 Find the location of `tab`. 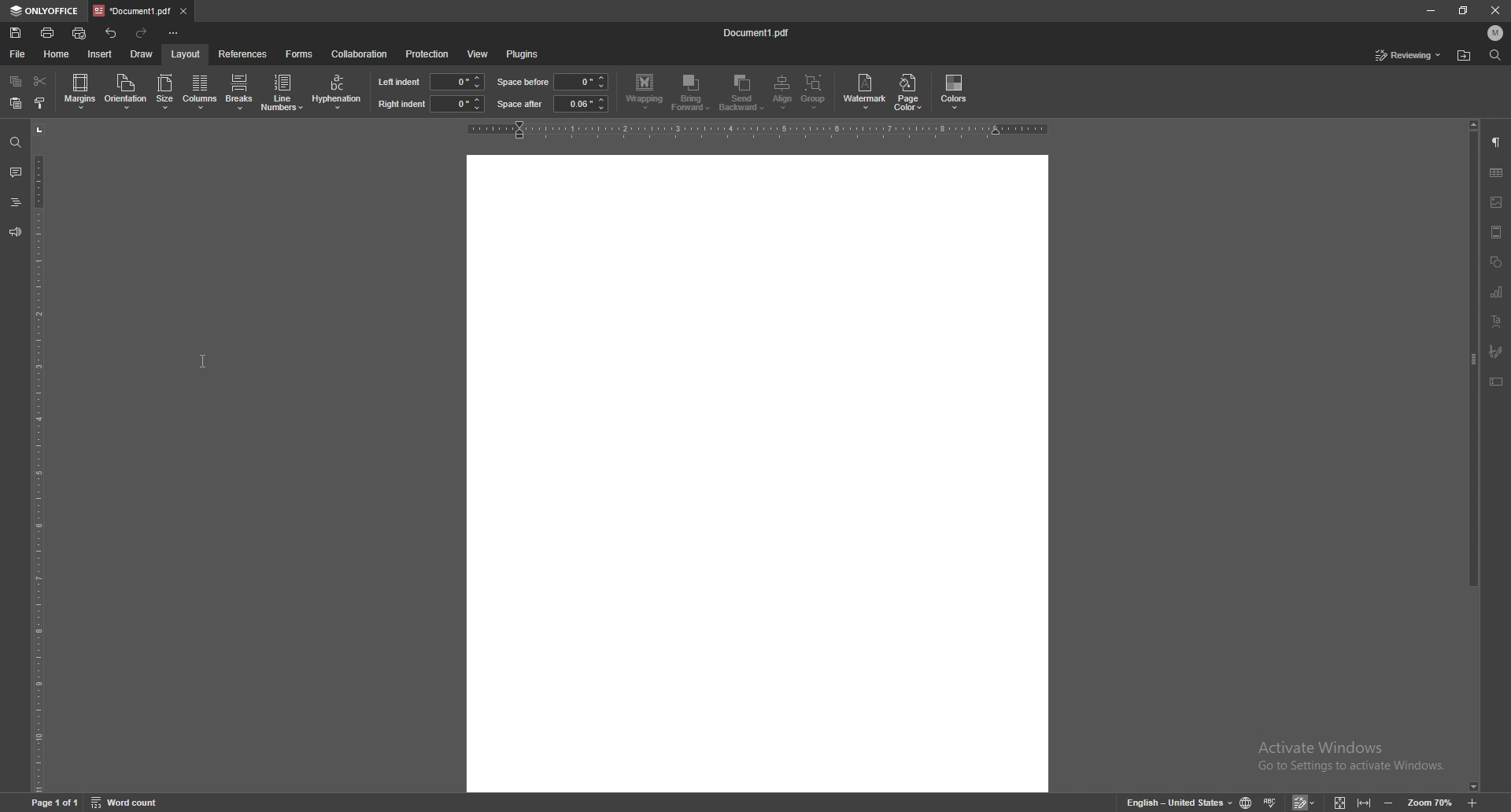

tab is located at coordinates (131, 9).